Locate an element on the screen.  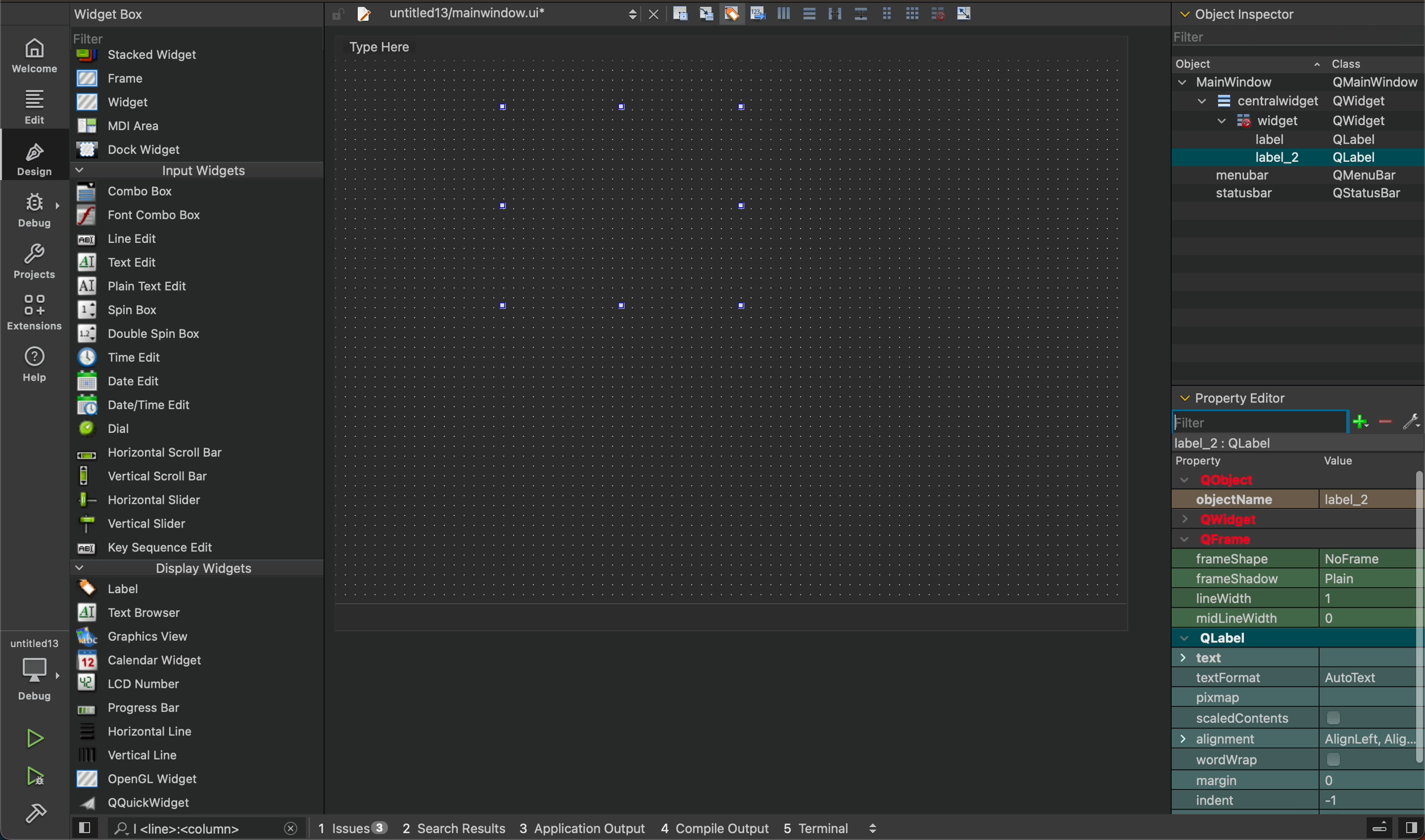
shadow is located at coordinates (1296, 581).